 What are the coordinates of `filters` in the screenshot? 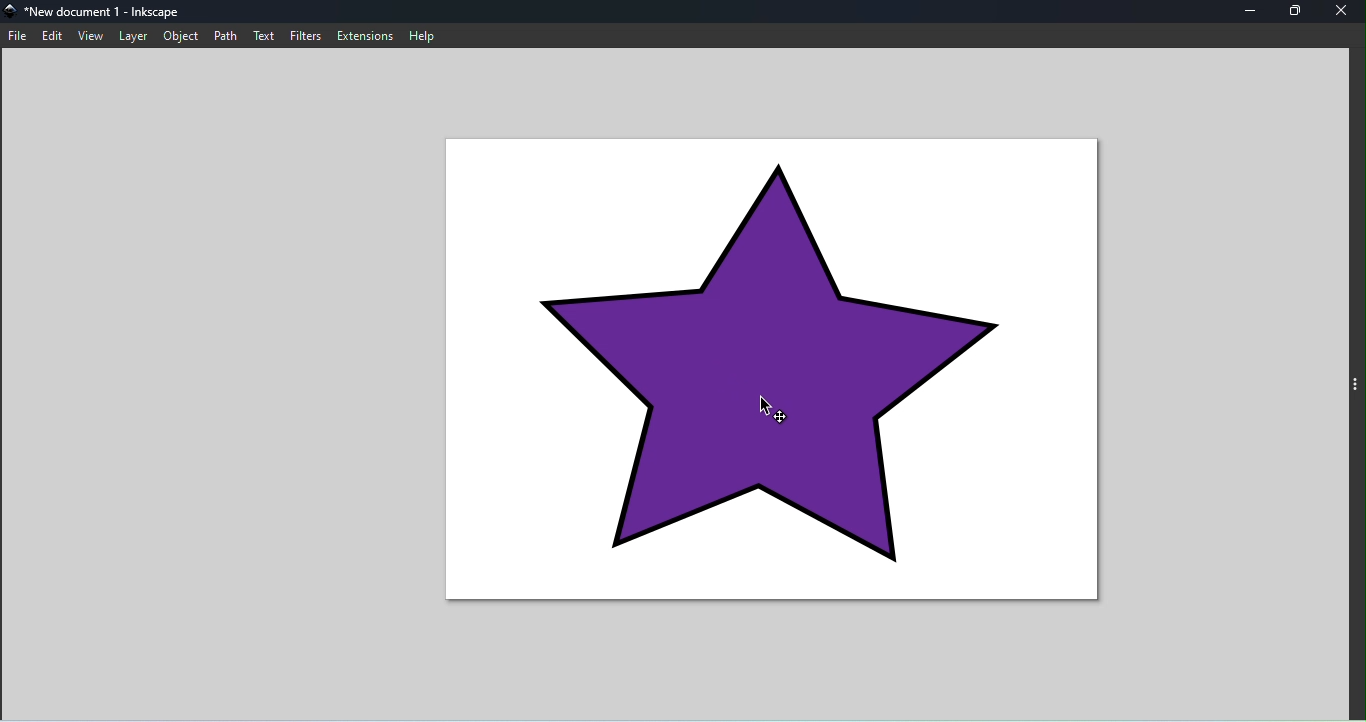 It's located at (309, 36).